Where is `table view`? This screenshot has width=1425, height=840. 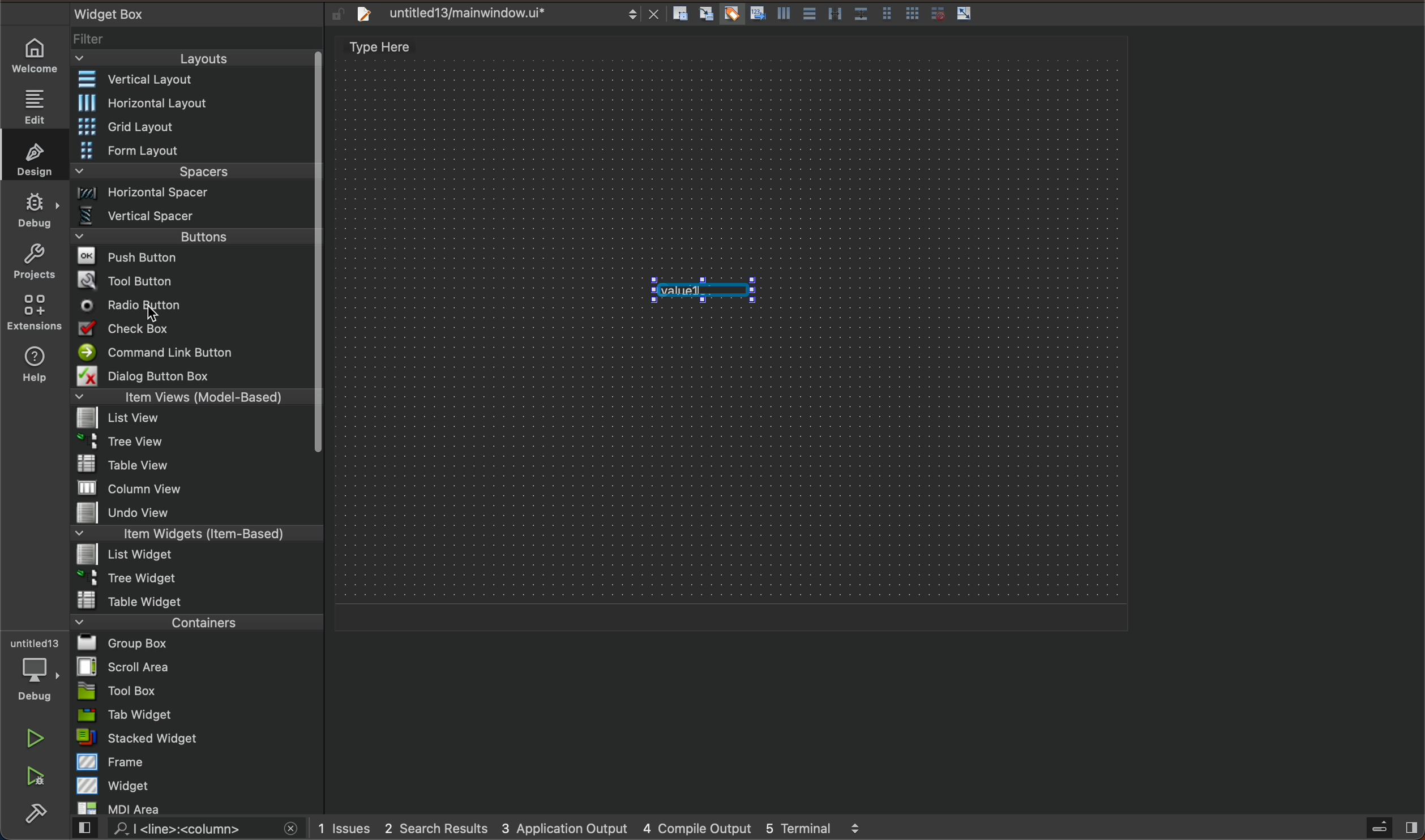
table view is located at coordinates (197, 465).